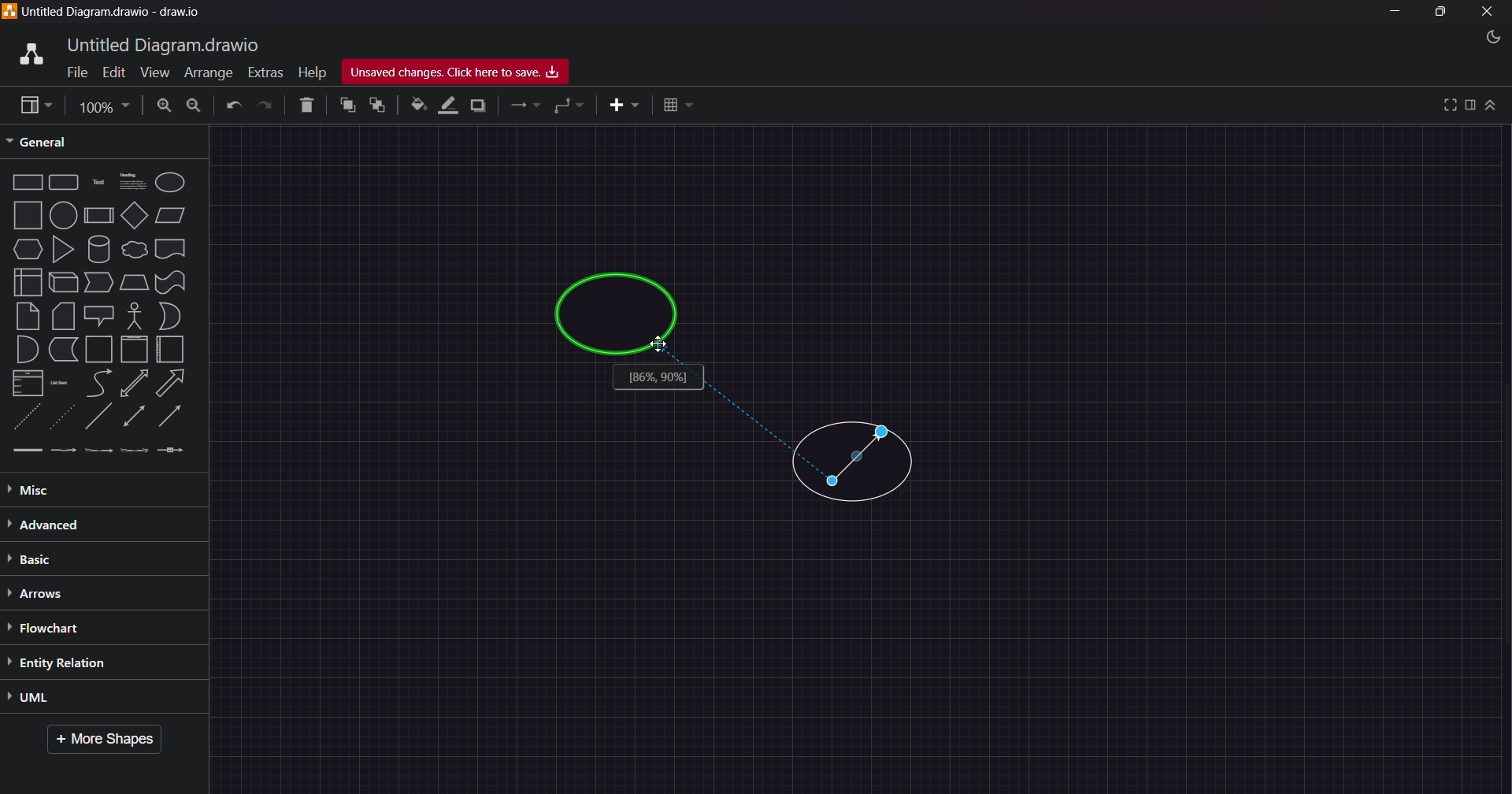 This screenshot has height=794, width=1512. I want to click on waypoints, so click(570, 107).